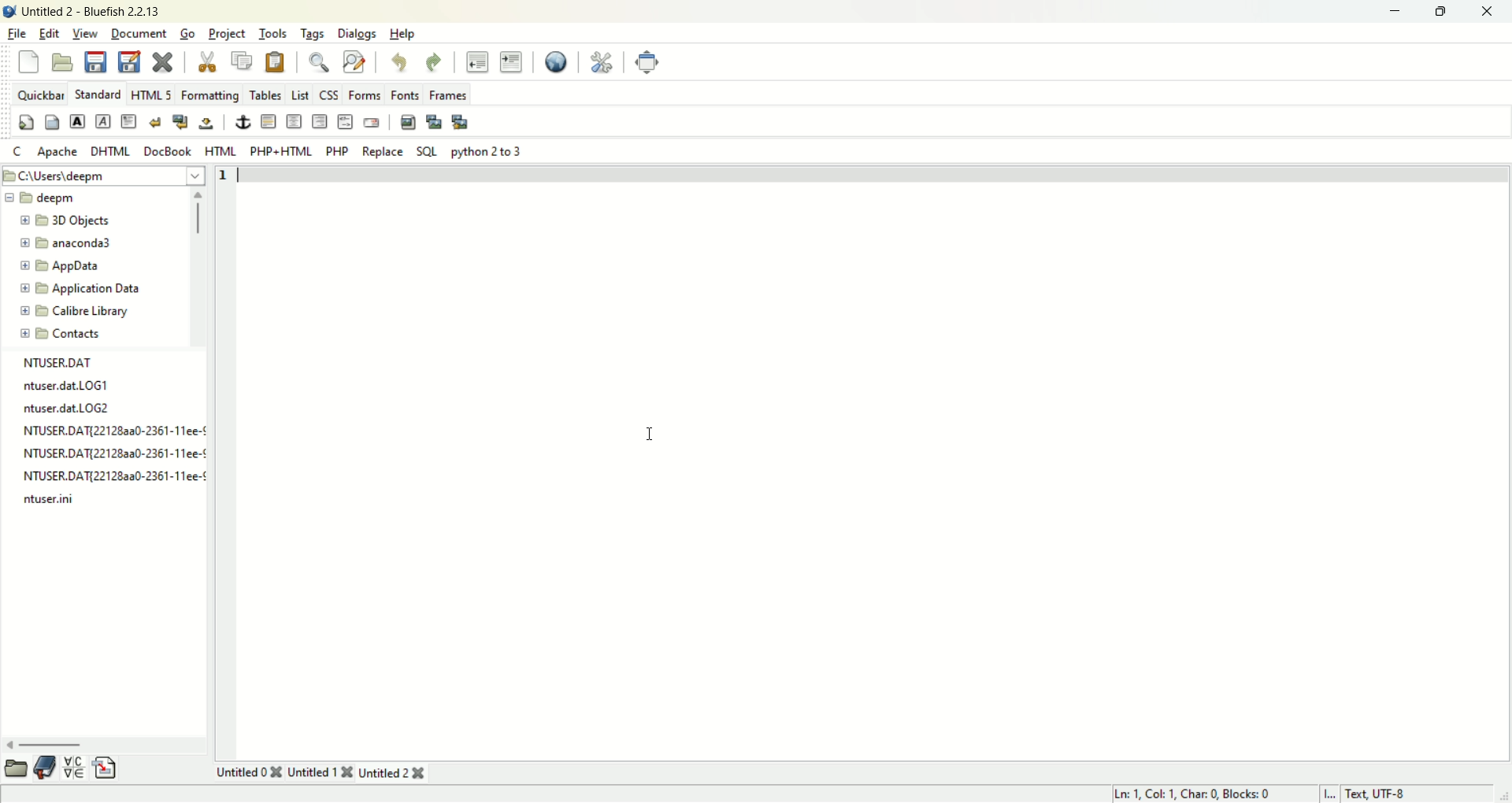 Image resolution: width=1512 pixels, height=803 pixels. Describe the element at coordinates (49, 33) in the screenshot. I see `edit` at that location.